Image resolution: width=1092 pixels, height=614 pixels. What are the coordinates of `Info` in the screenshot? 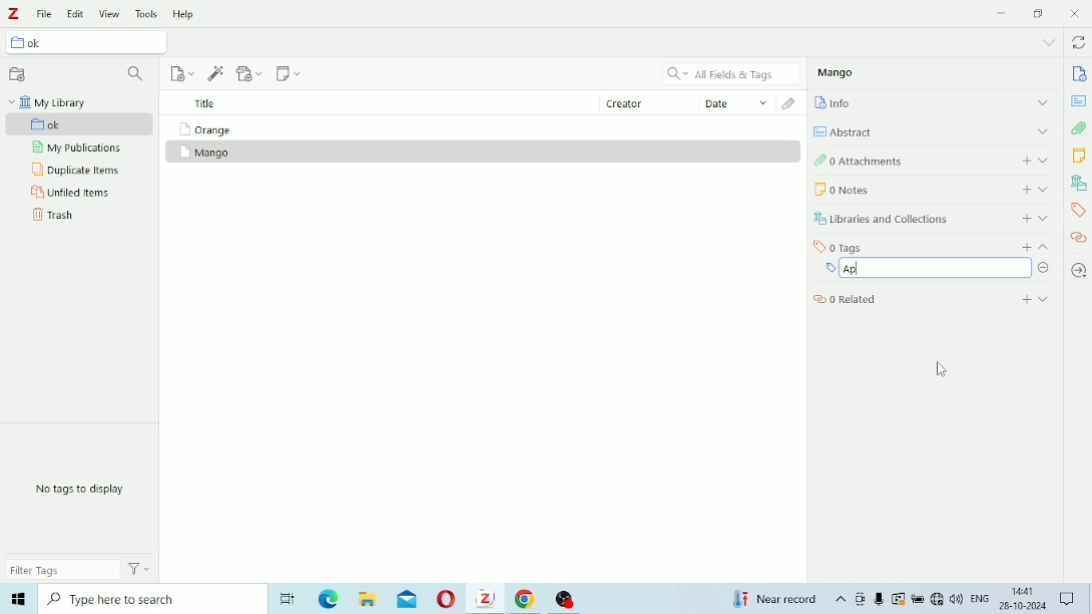 It's located at (1080, 75).